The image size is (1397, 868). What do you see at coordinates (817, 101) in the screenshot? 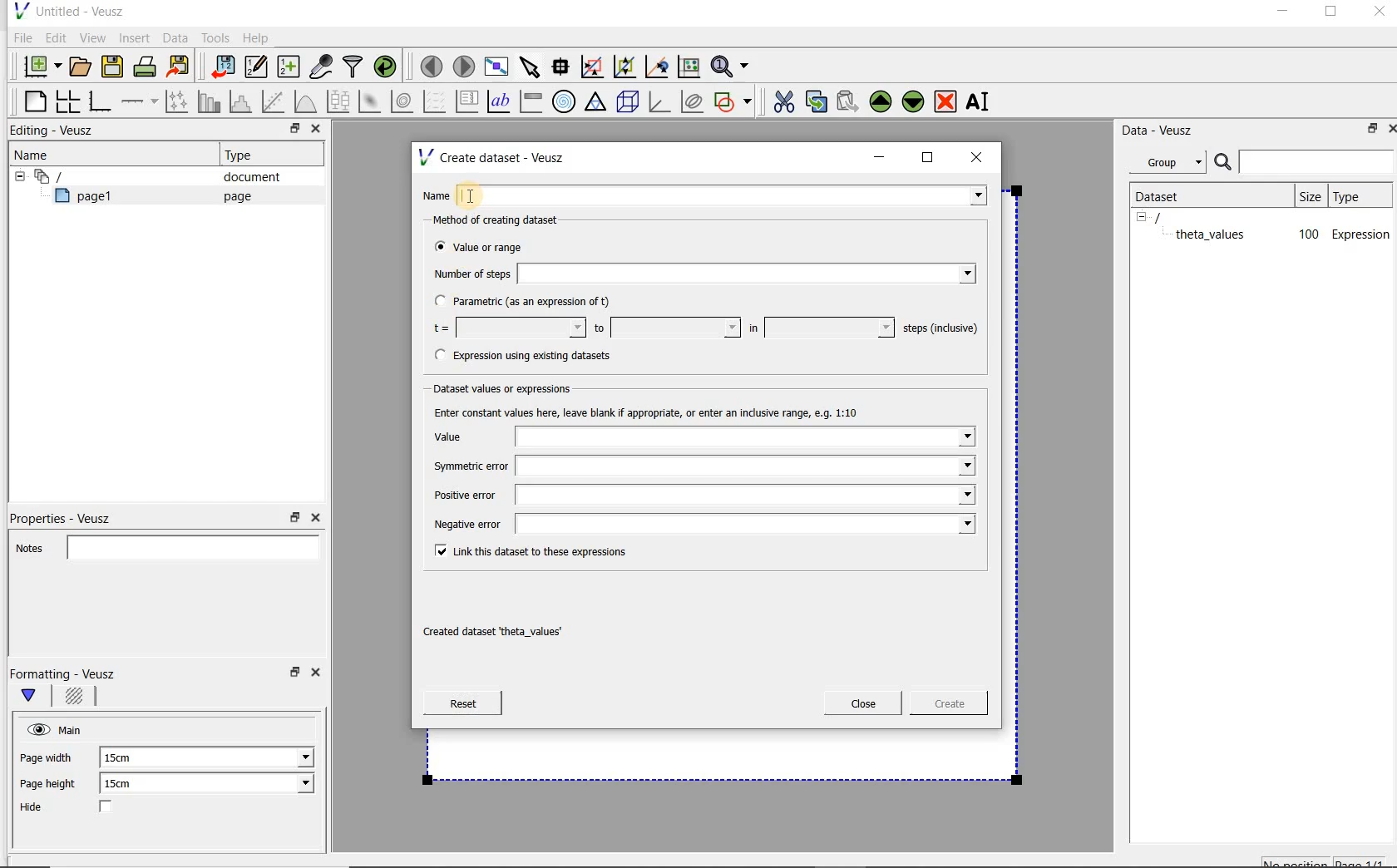
I see `copy the selected widget` at bounding box center [817, 101].